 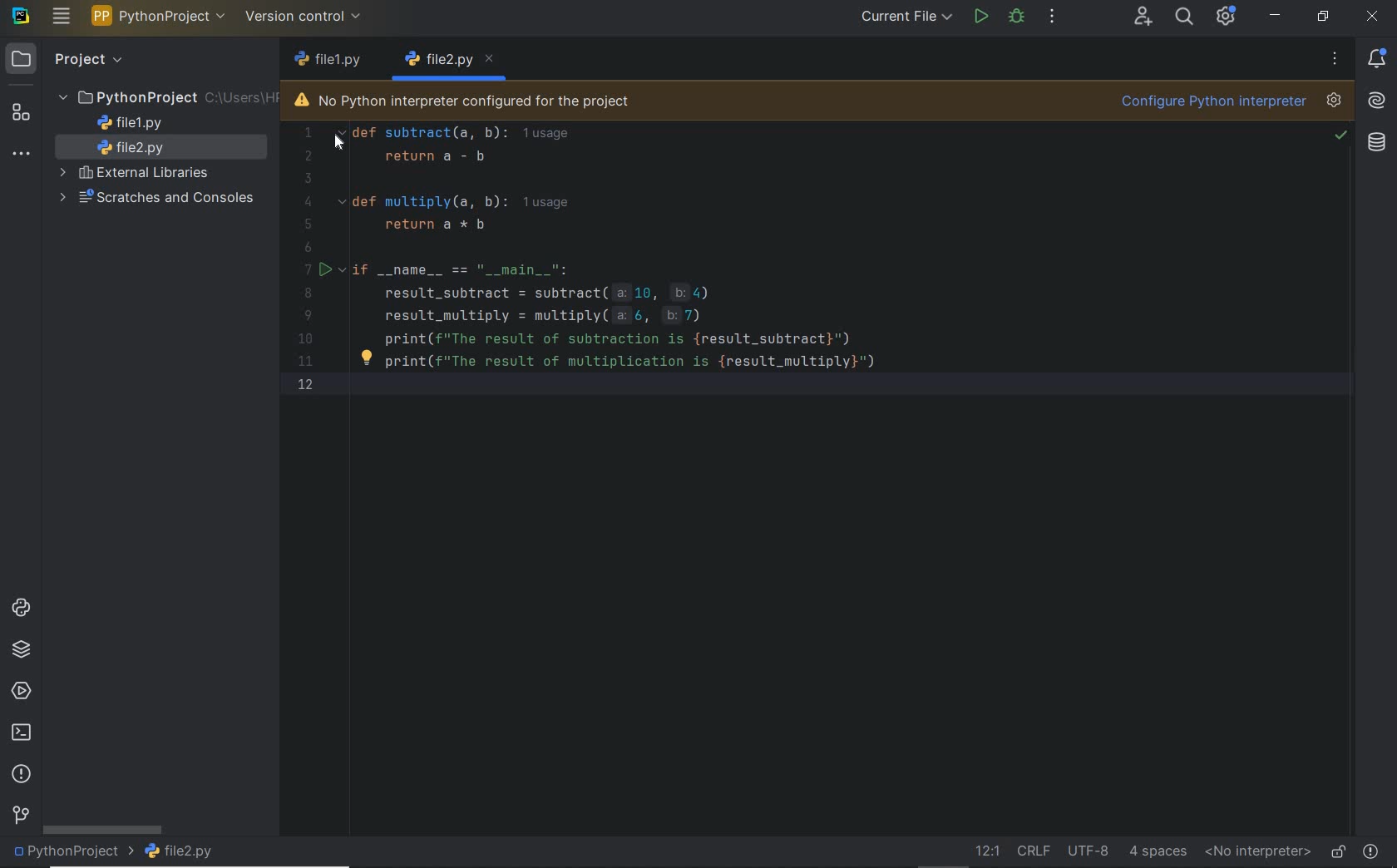 What do you see at coordinates (22, 156) in the screenshot?
I see `more tool windows` at bounding box center [22, 156].